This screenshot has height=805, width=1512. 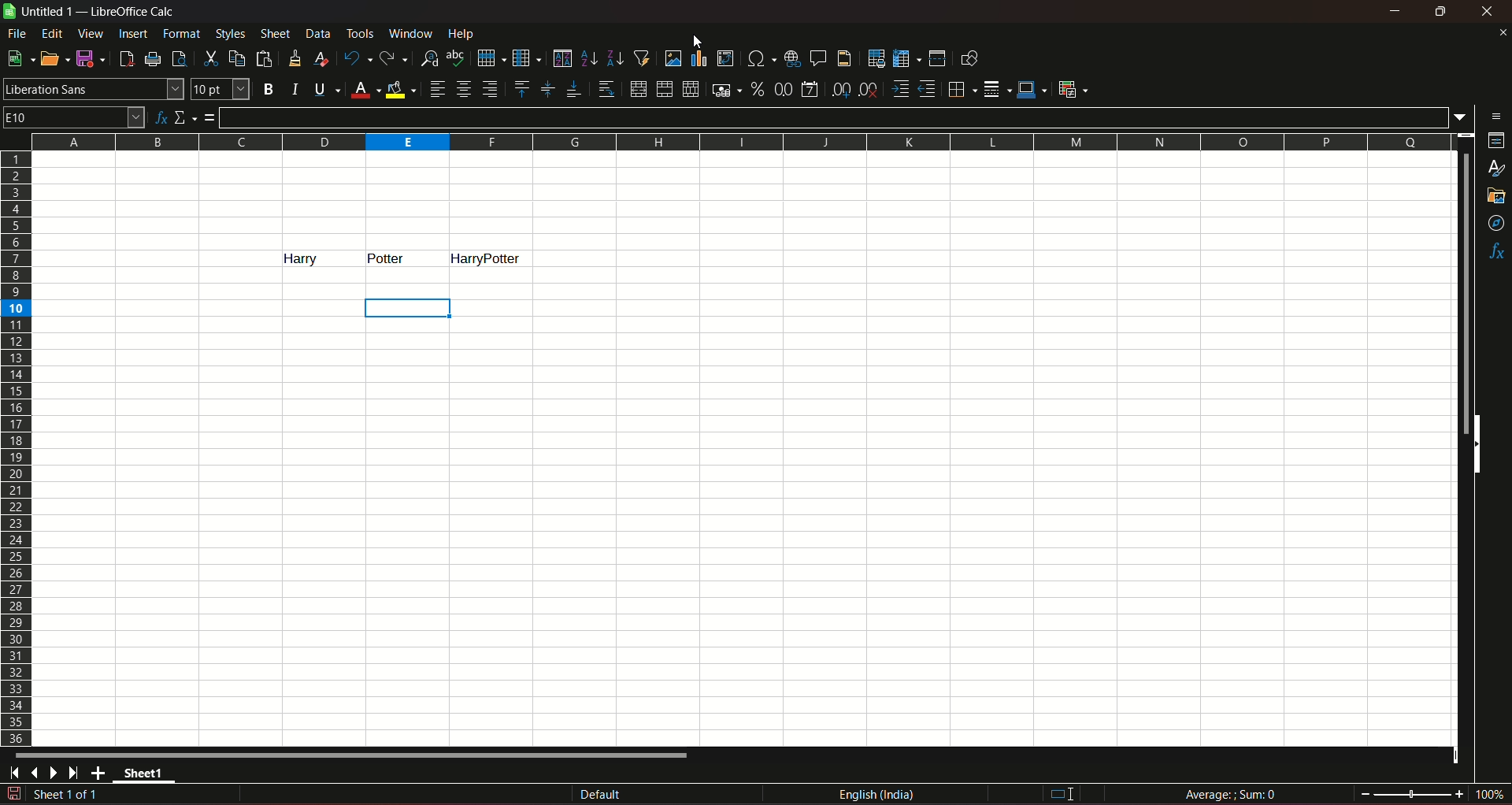 I want to click on format as date, so click(x=810, y=91).